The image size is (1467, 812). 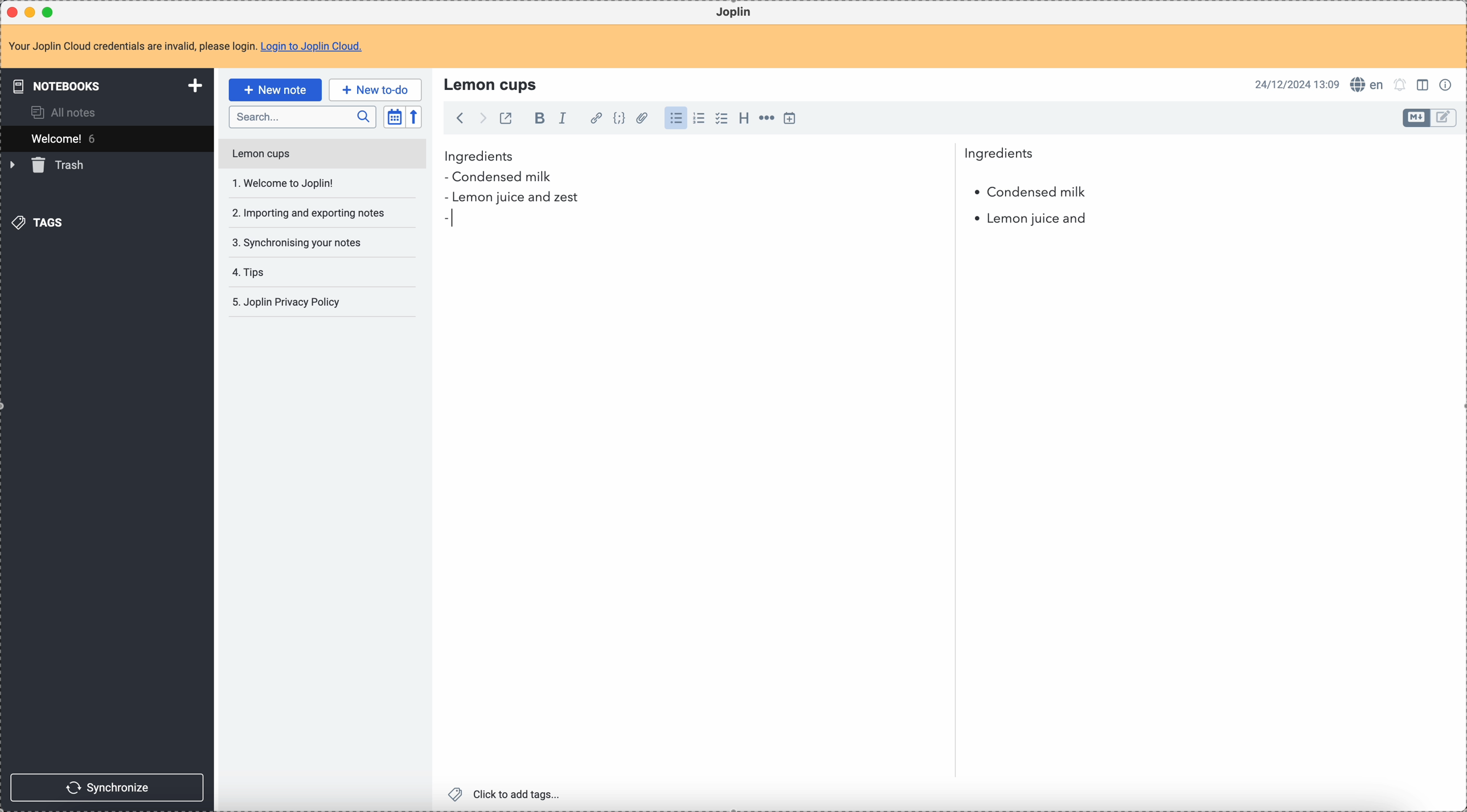 I want to click on insert time, so click(x=789, y=118).